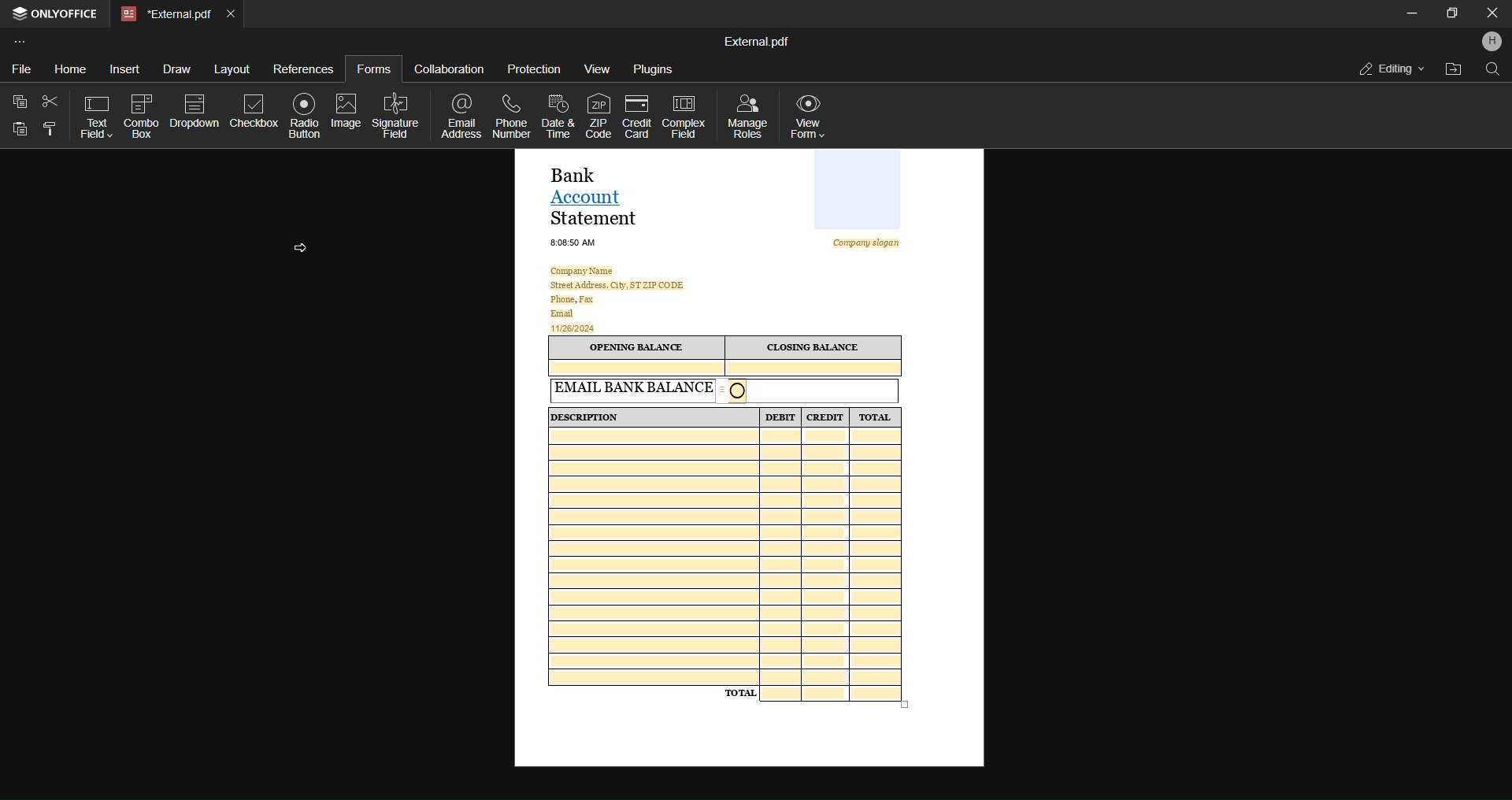 Image resolution: width=1512 pixels, height=800 pixels. Describe the element at coordinates (1491, 43) in the screenshot. I see `profile` at that location.